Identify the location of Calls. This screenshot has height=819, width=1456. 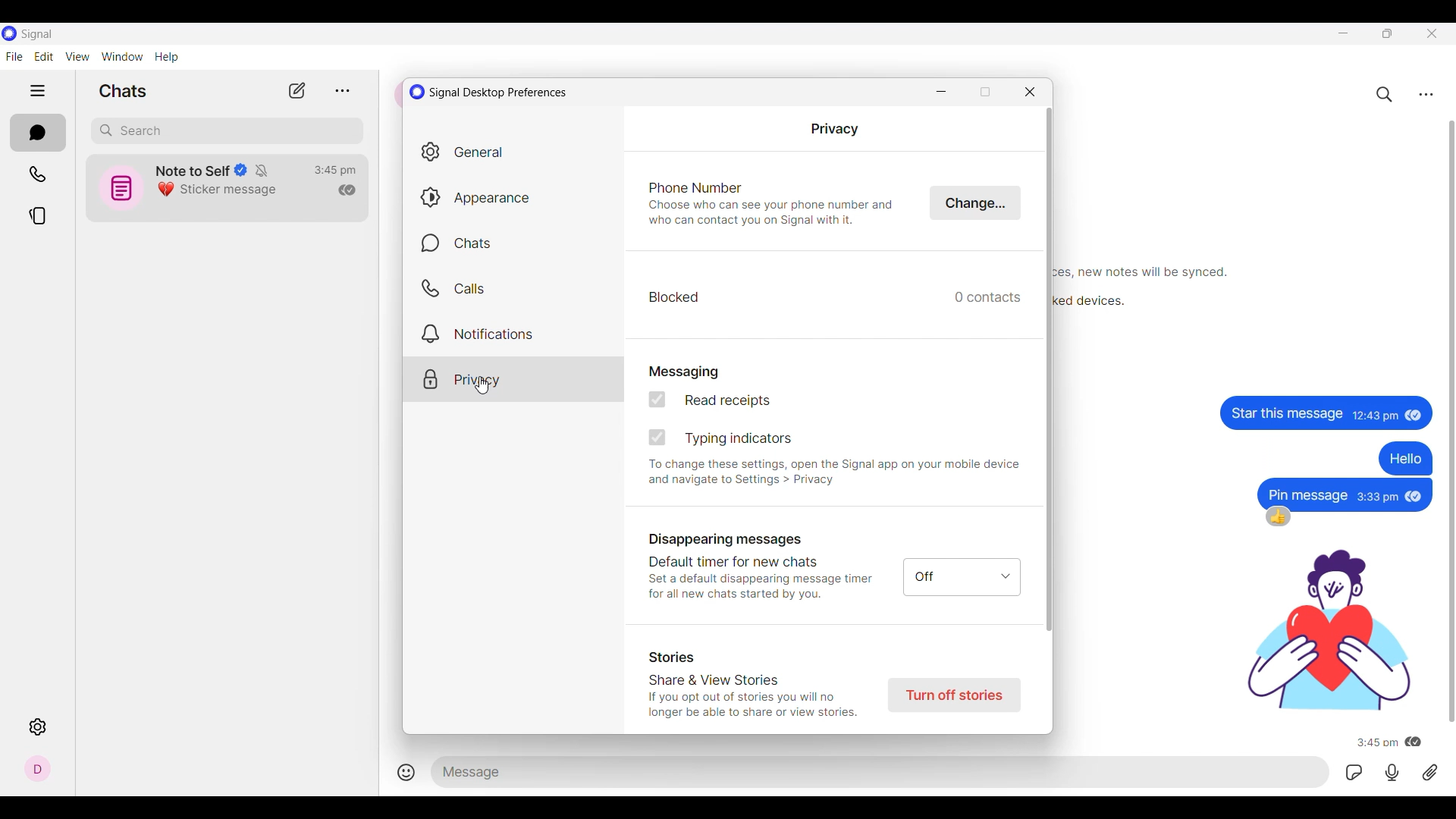
(37, 174).